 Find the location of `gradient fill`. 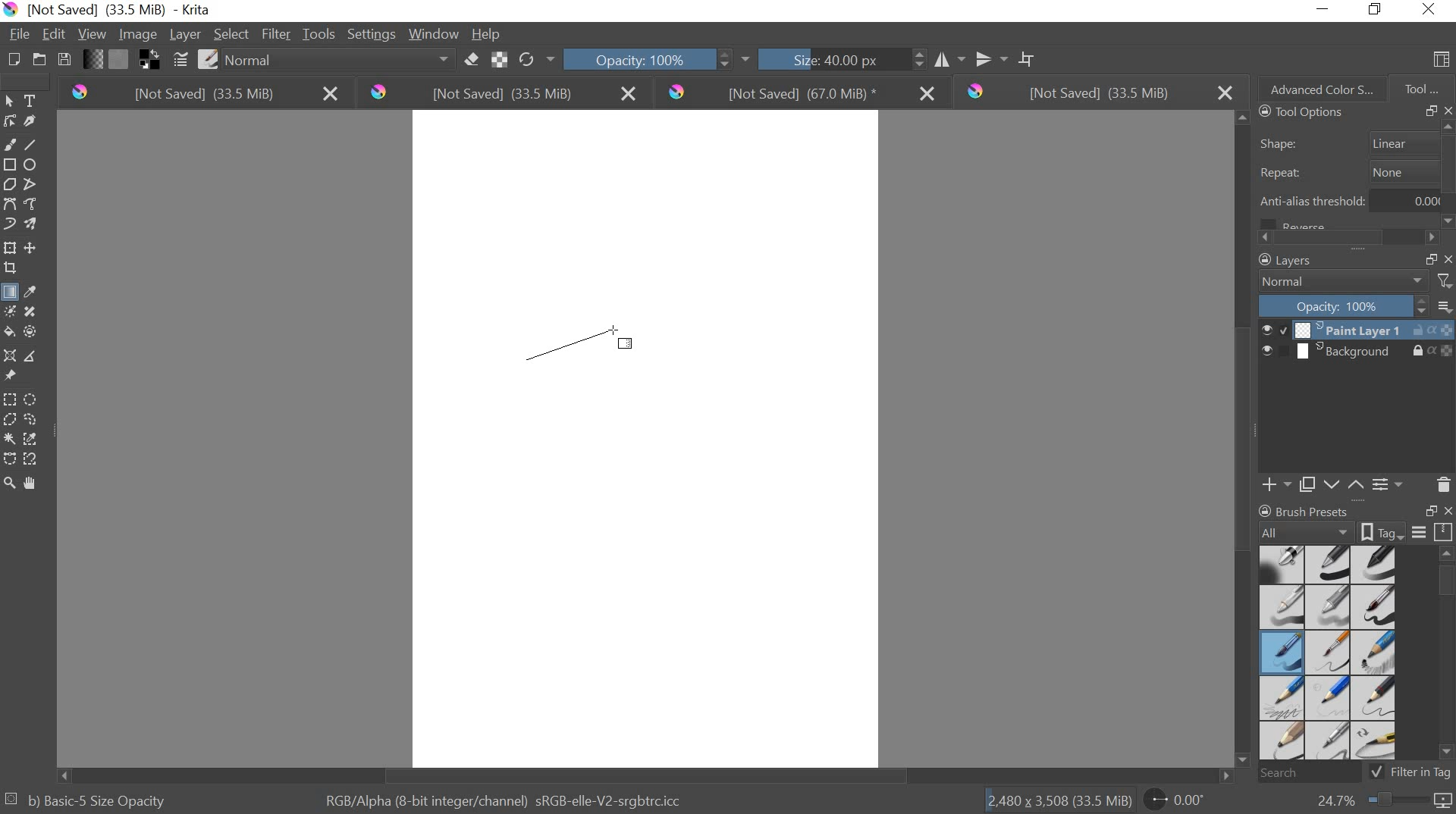

gradient fill is located at coordinates (9, 293).